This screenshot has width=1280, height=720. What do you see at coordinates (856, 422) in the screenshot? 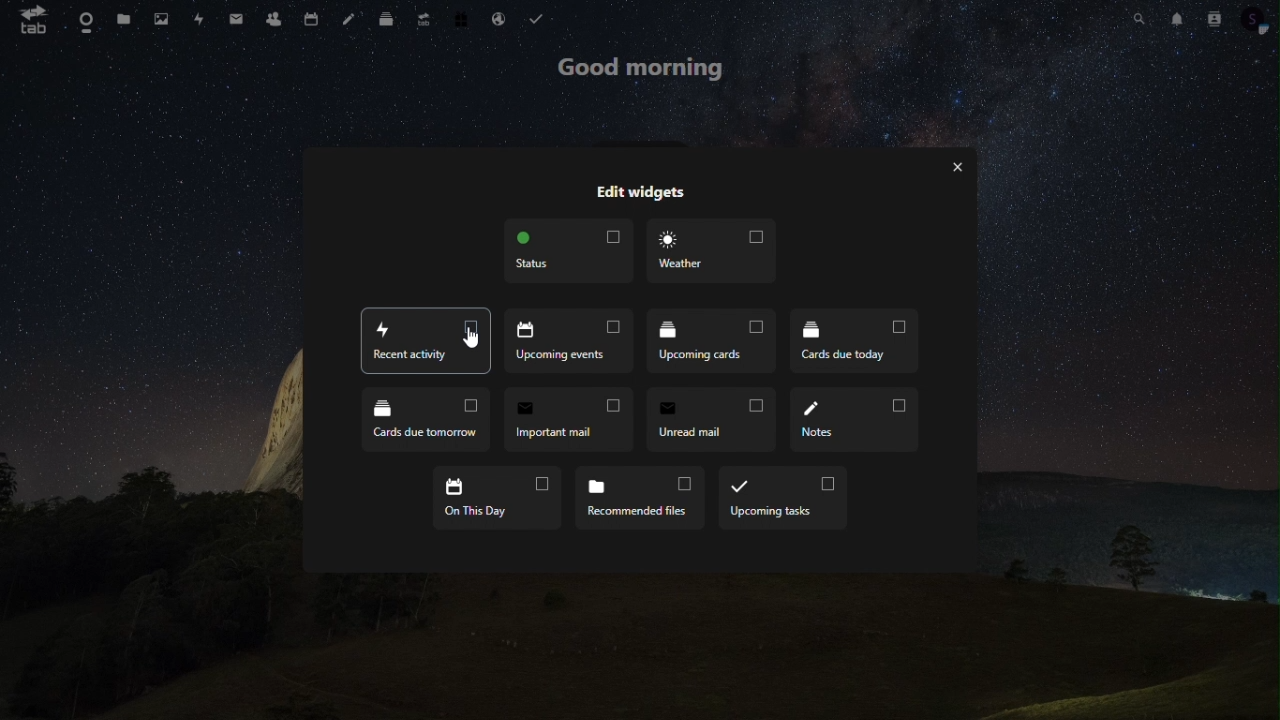
I see `notes` at bounding box center [856, 422].